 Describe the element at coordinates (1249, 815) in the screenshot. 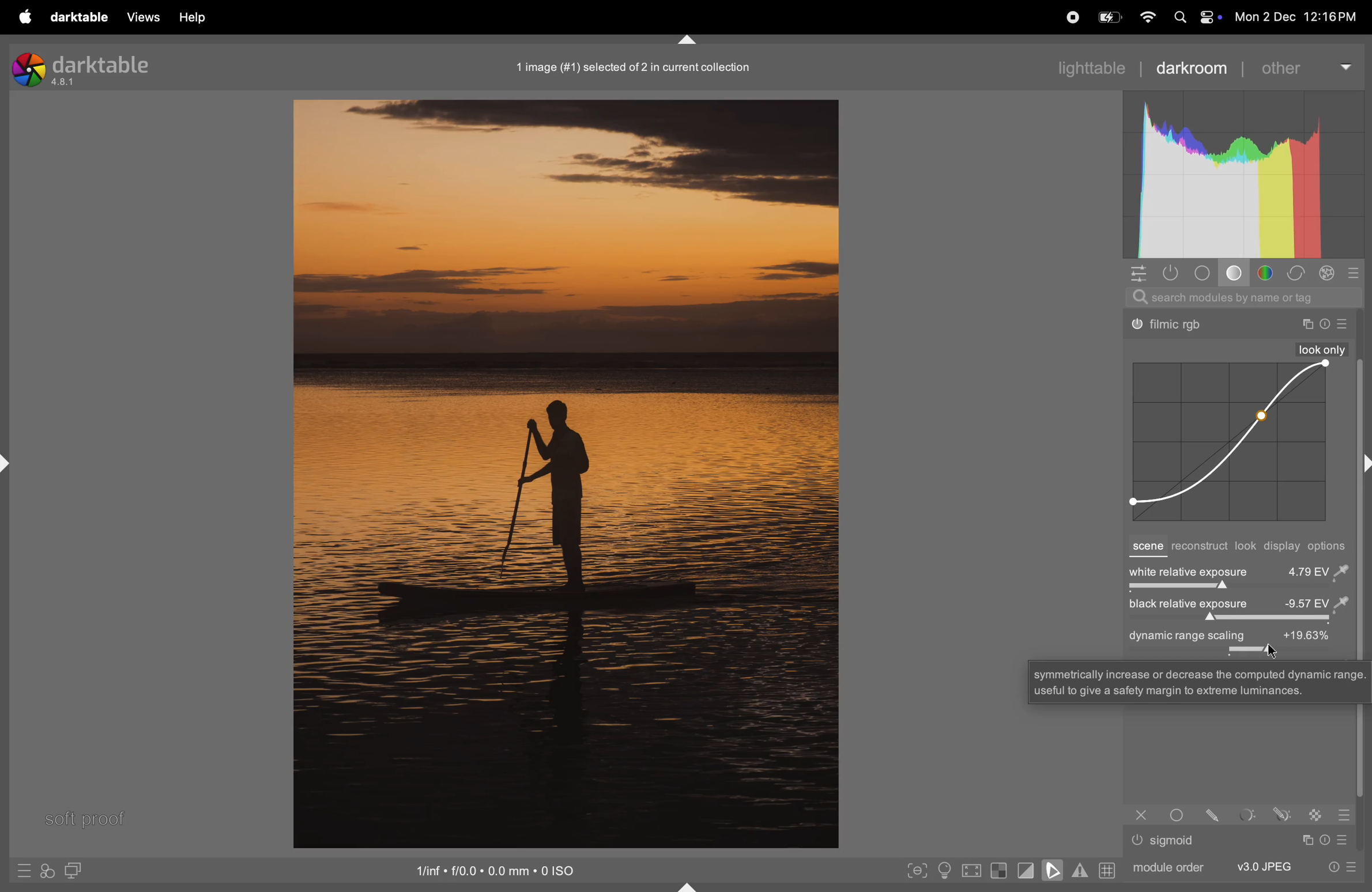

I see `` at that location.